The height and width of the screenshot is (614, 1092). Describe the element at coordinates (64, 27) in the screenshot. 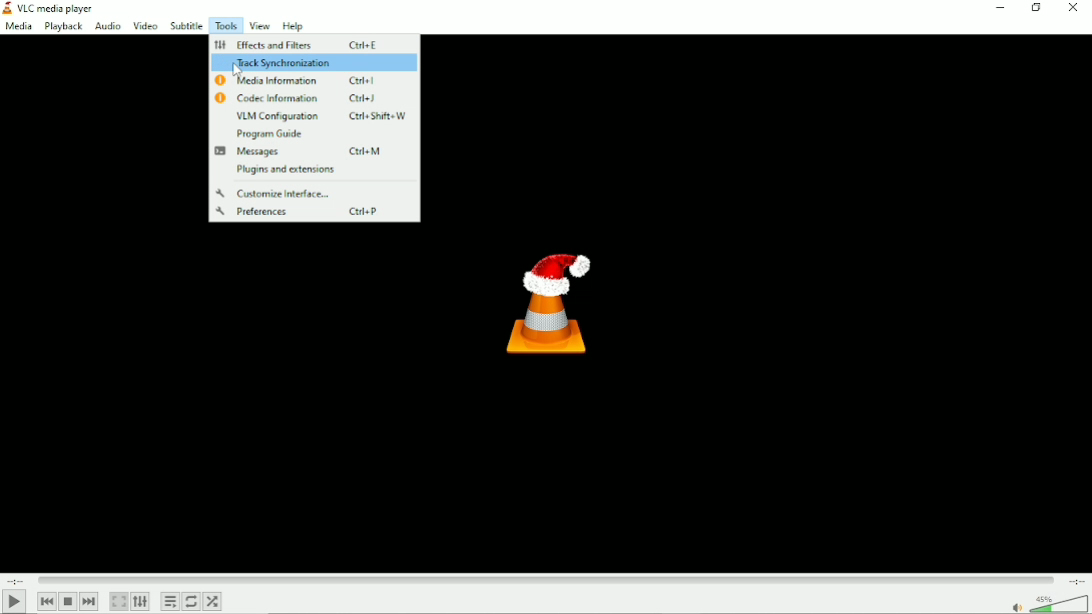

I see `playback` at that location.